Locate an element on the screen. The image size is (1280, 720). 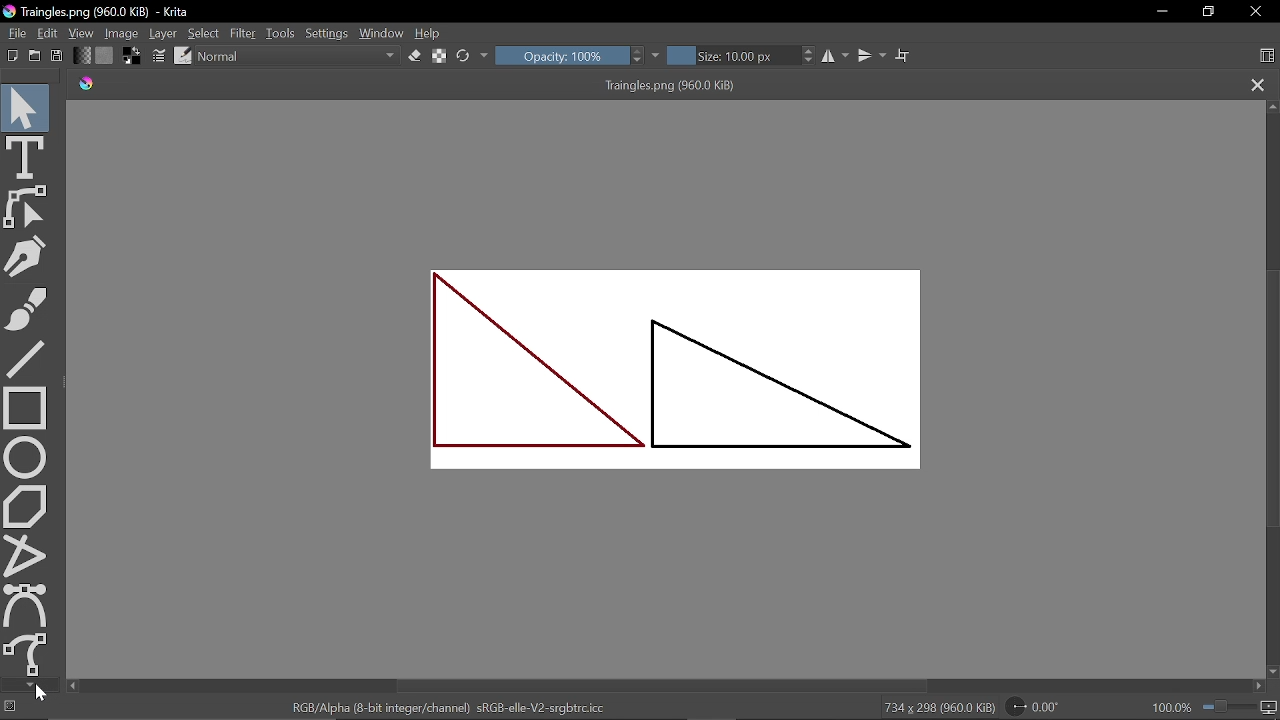
"RGB/Alpha (8-bit integer/channel) sRGB-elle-V2-srgbtrc.icc is located at coordinates (448, 707).